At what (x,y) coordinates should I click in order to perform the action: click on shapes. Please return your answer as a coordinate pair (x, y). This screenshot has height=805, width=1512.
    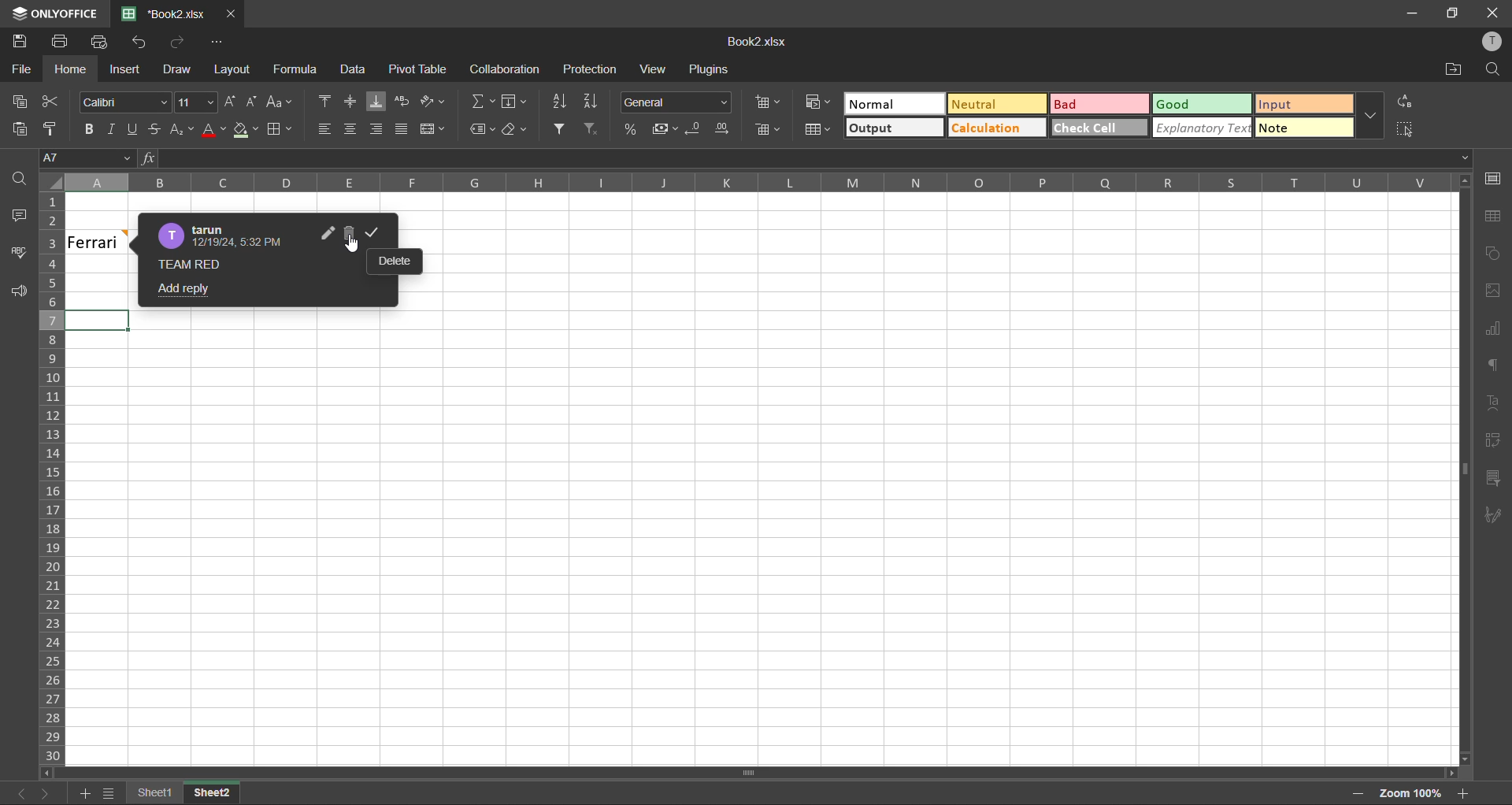
    Looking at the image, I should click on (1492, 254).